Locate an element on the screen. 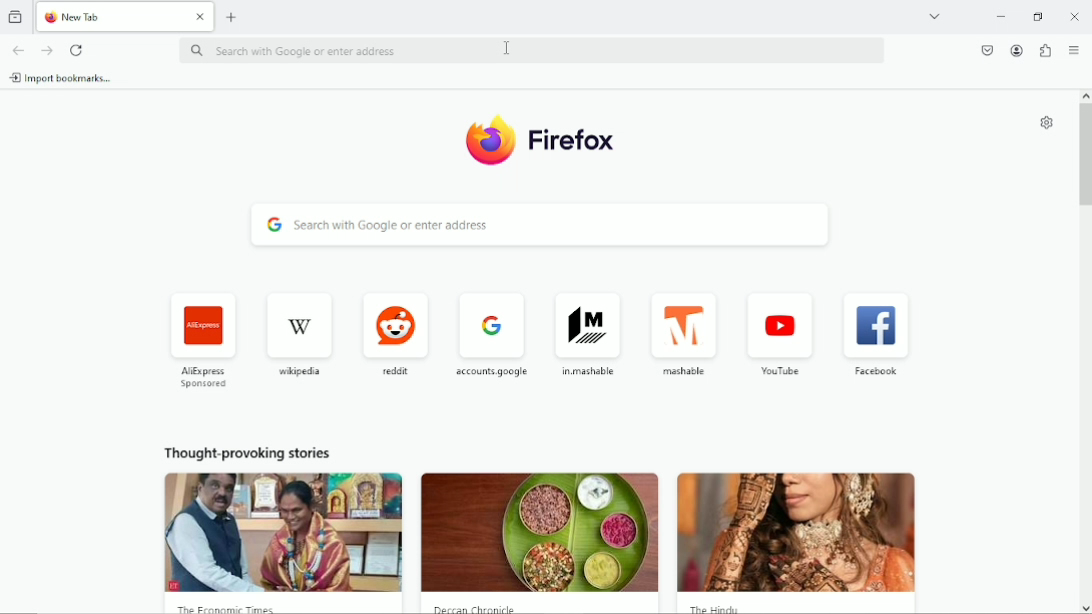 This screenshot has height=614, width=1092. firefox logo is located at coordinates (487, 140).